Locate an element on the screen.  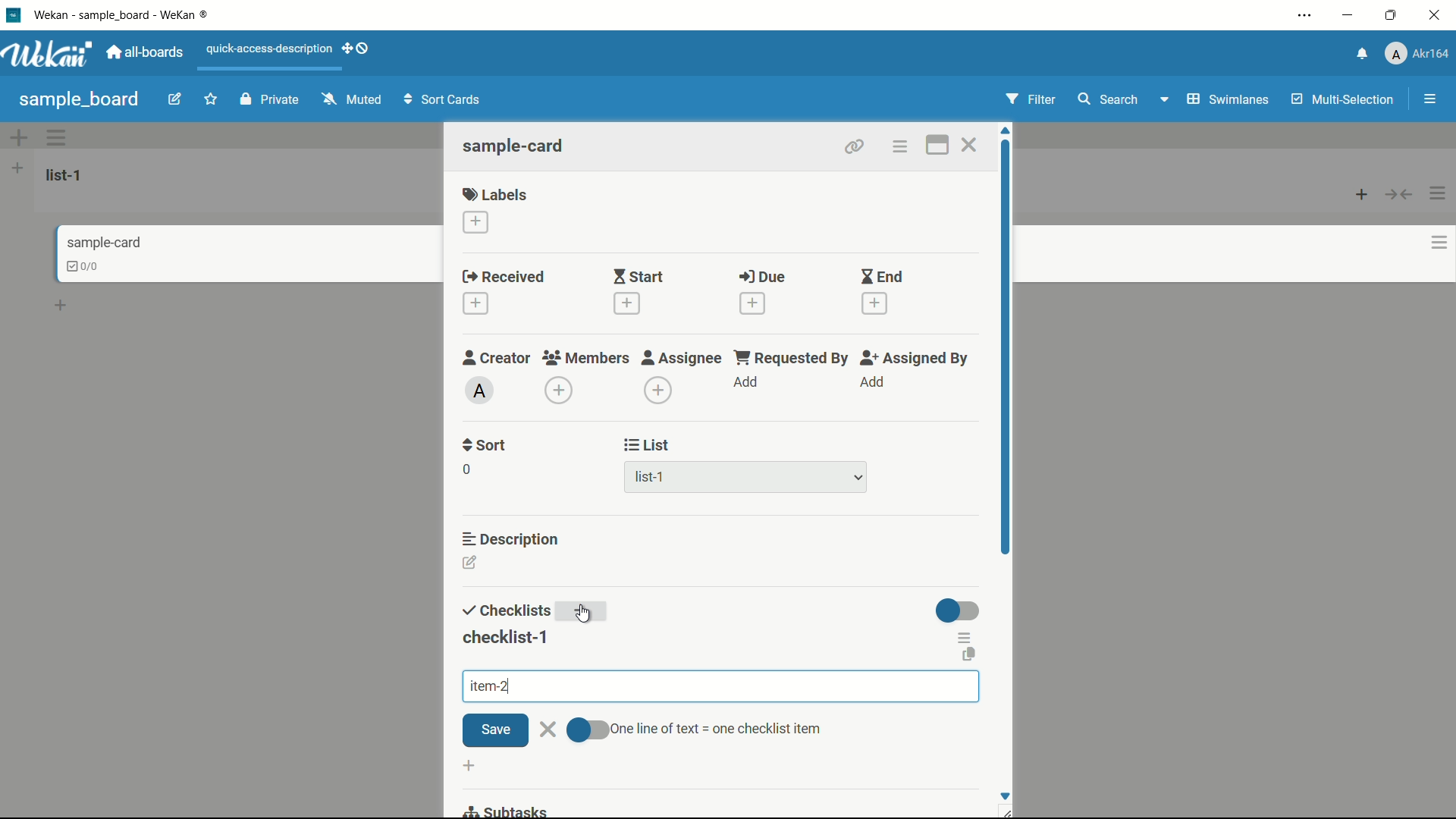
add swimlane is located at coordinates (17, 137).